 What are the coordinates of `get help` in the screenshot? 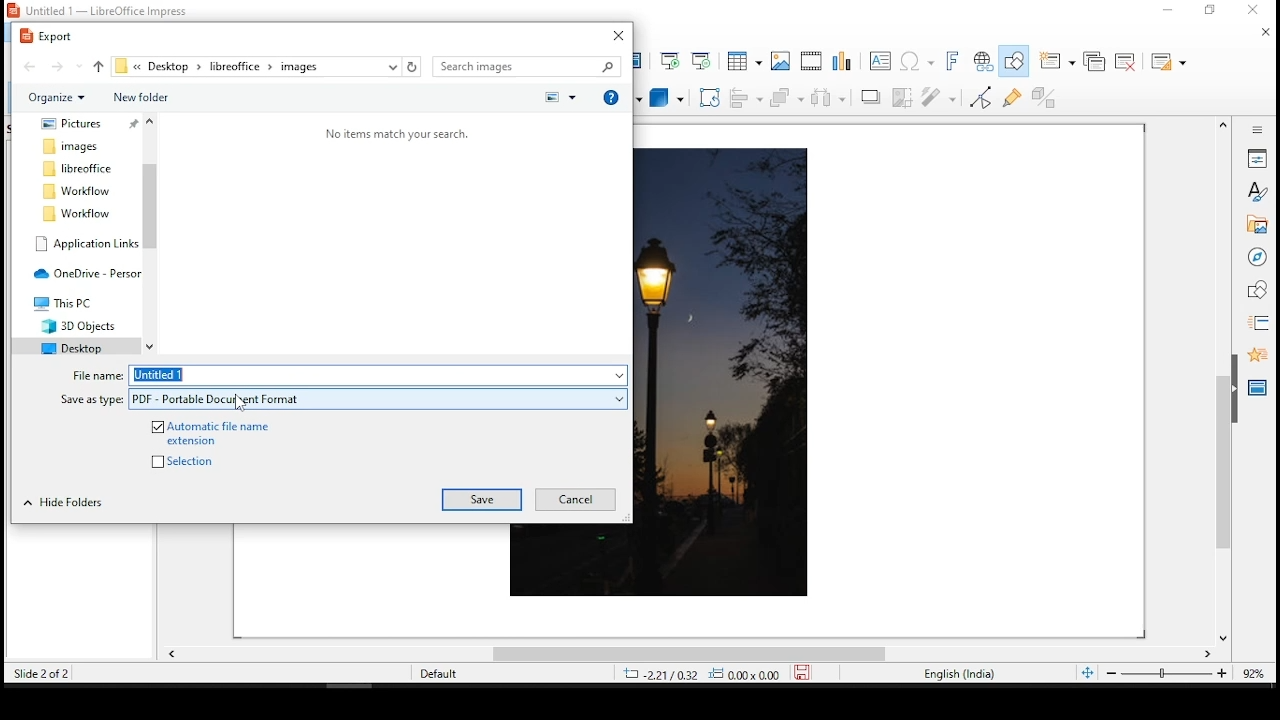 It's located at (611, 95).